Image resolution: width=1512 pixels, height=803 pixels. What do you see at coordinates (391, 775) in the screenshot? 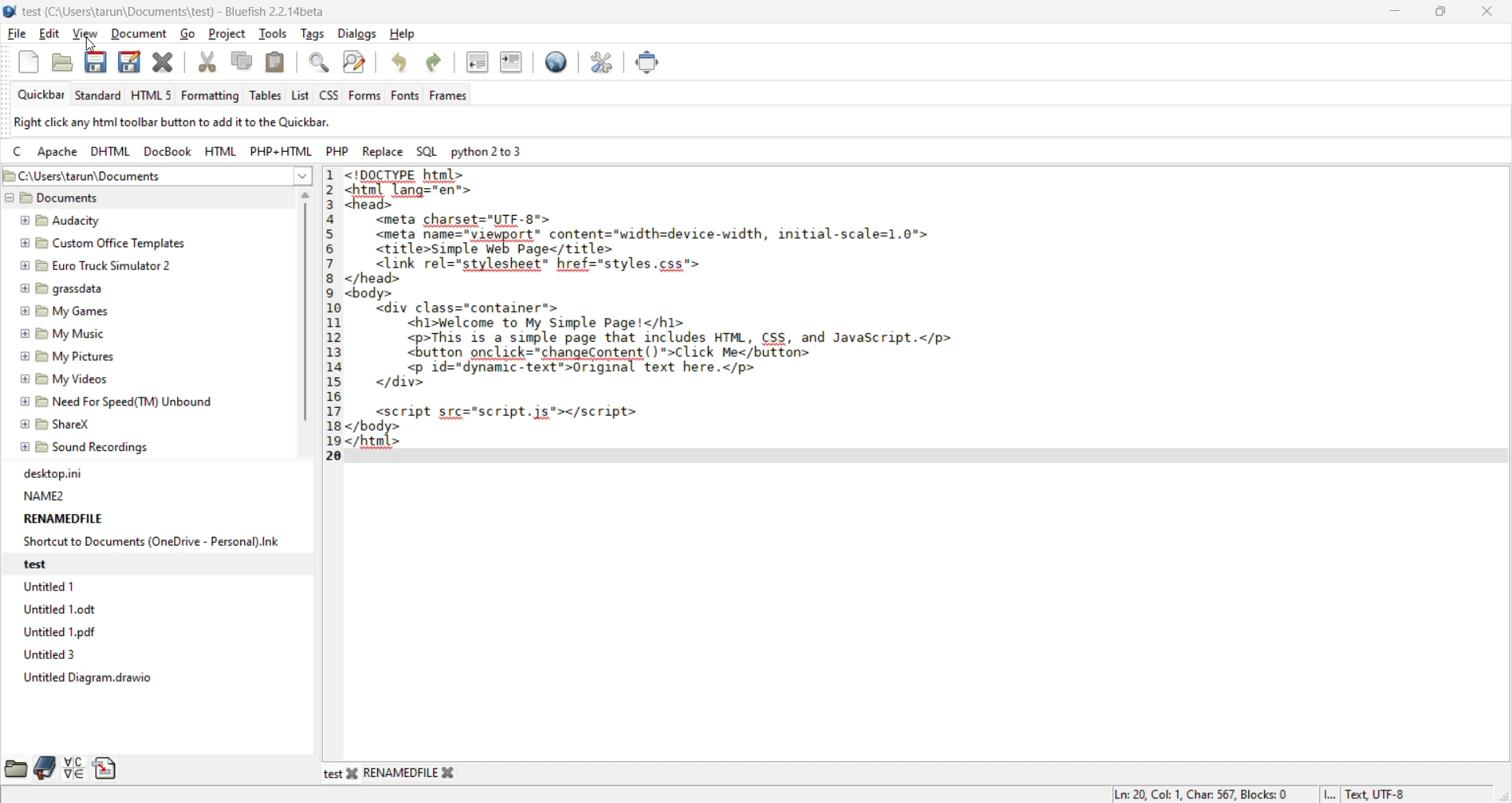
I see `tabs` at bounding box center [391, 775].